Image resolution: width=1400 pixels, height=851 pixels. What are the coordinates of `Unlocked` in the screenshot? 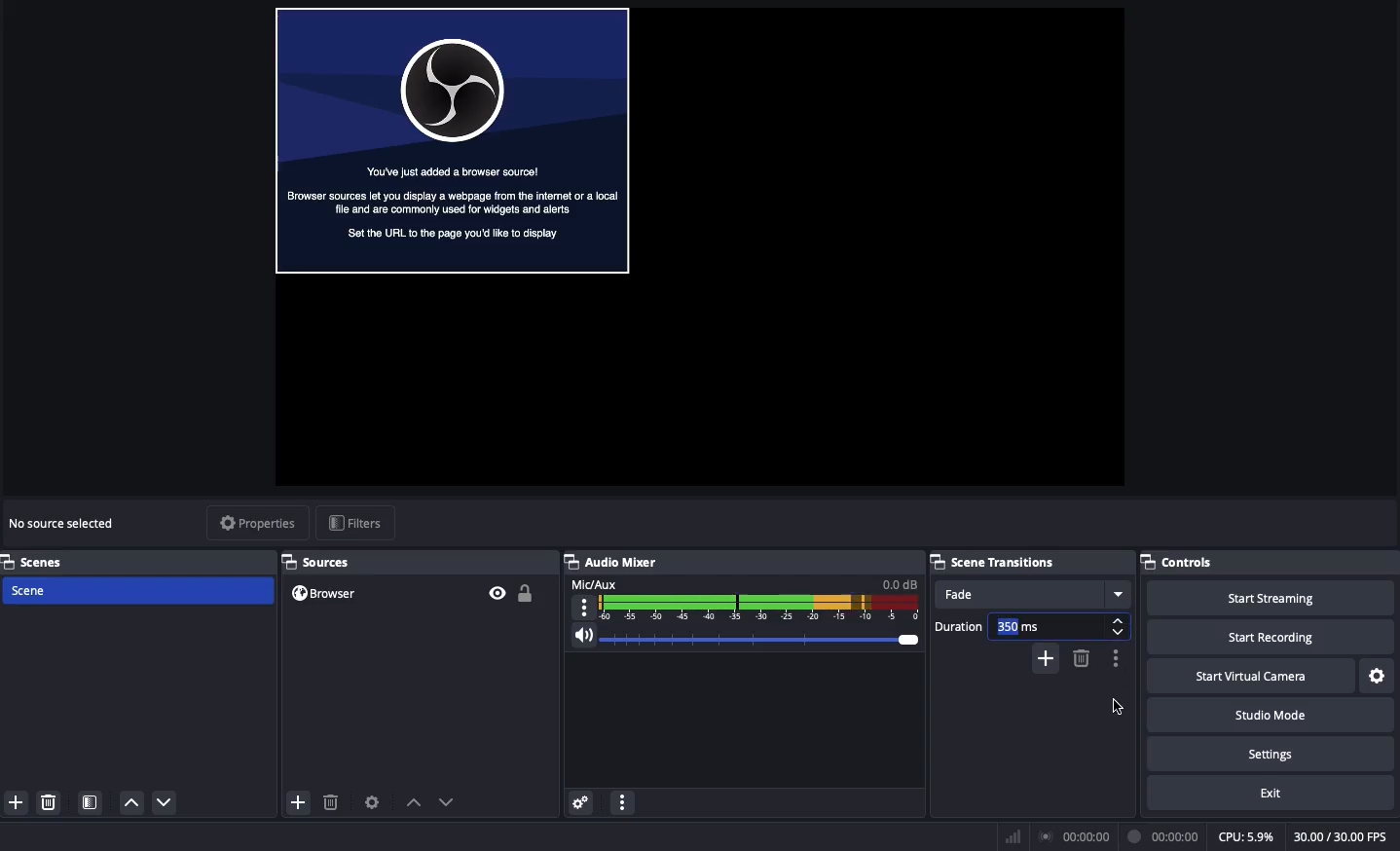 It's located at (527, 593).